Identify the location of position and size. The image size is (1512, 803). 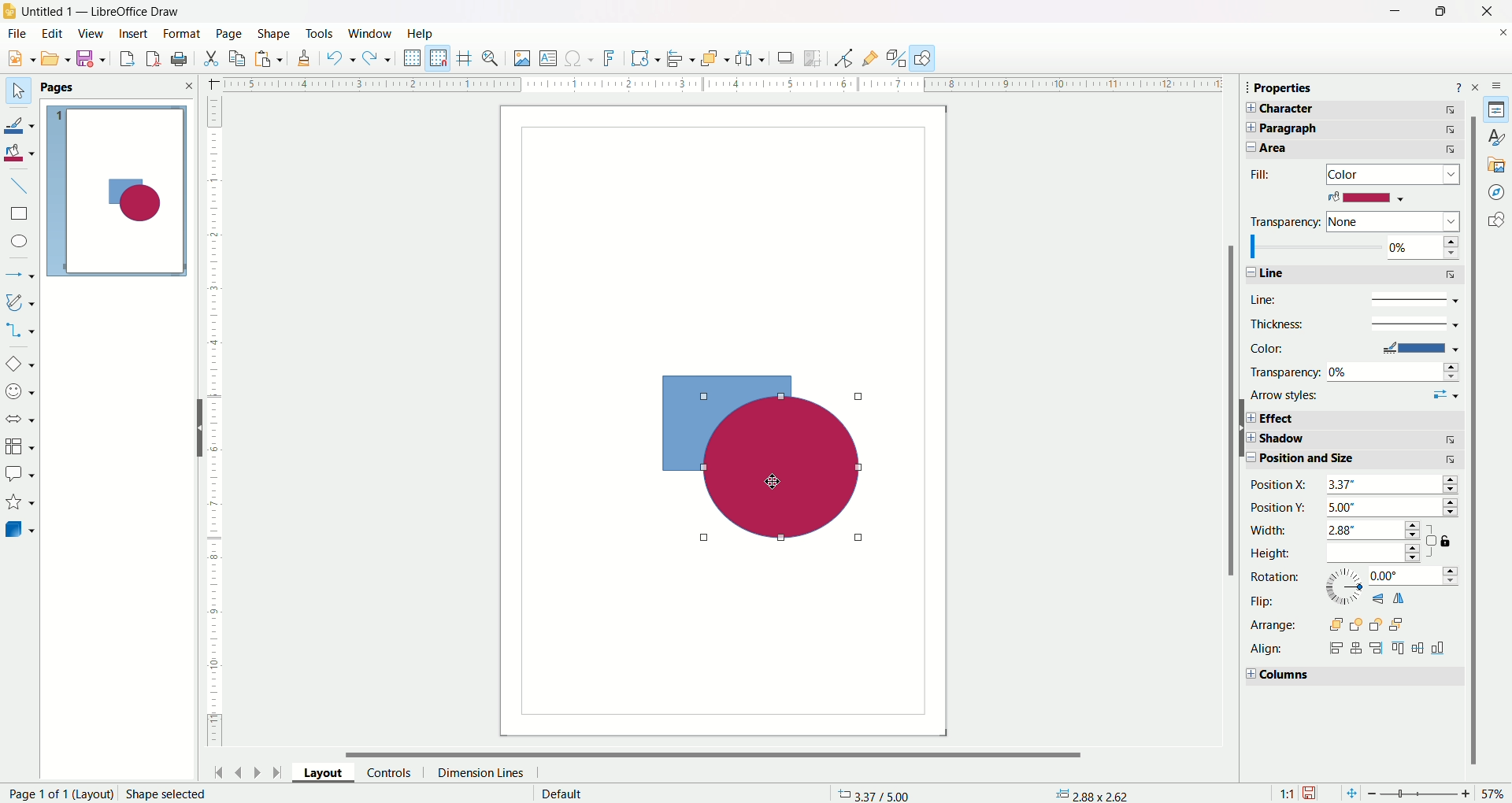
(1354, 462).